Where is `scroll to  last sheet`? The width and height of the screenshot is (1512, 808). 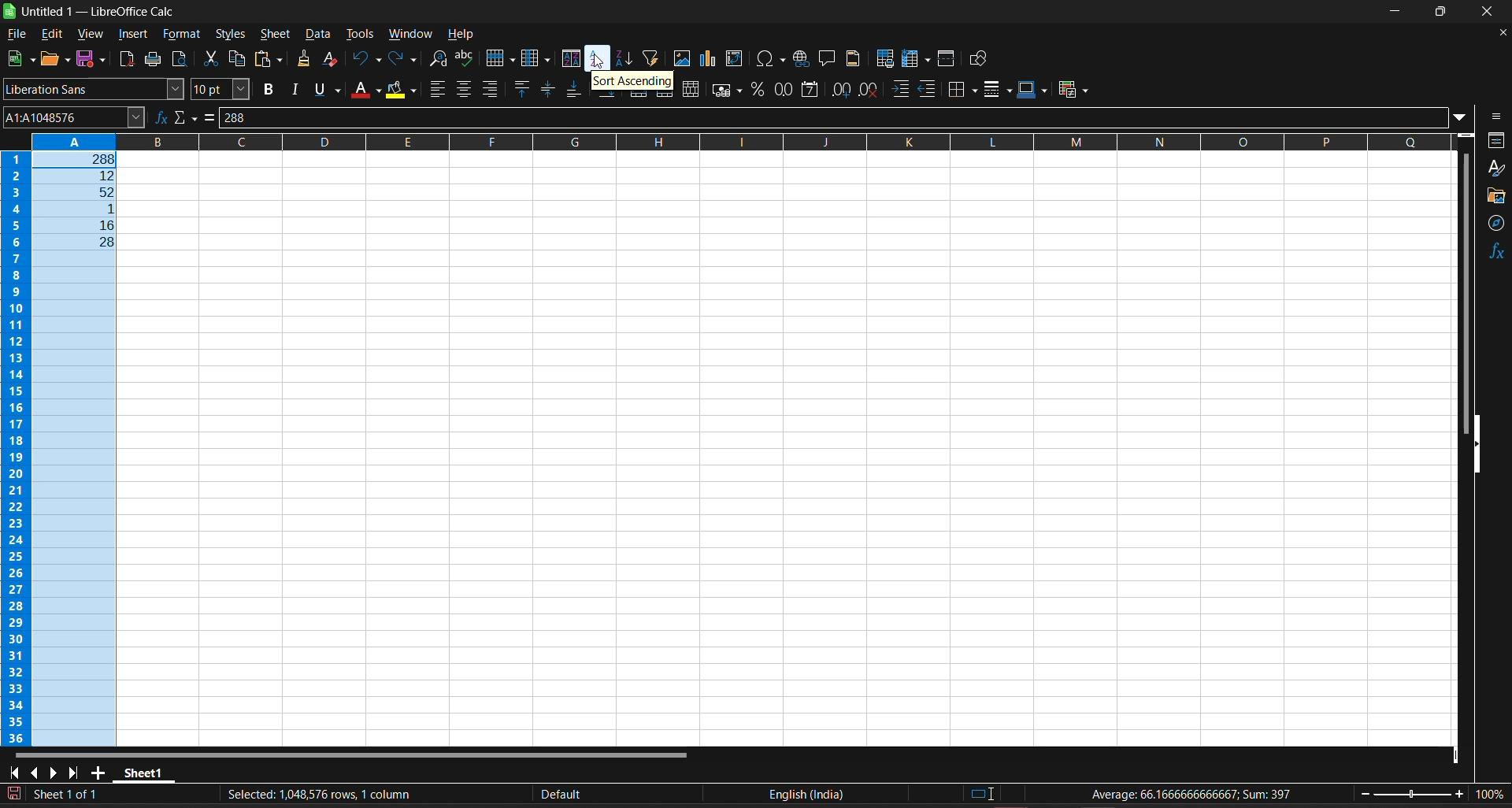
scroll to  last sheet is located at coordinates (77, 769).